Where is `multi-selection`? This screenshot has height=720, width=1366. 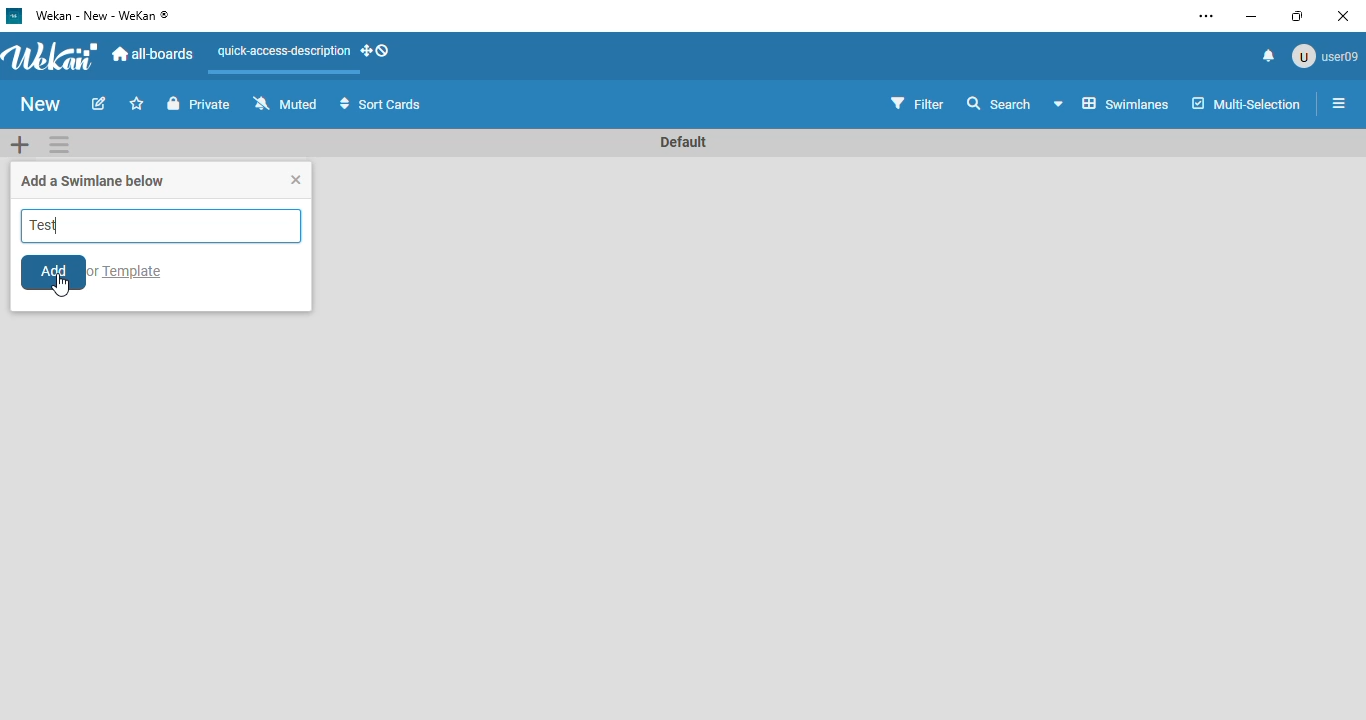 multi-selection is located at coordinates (1246, 104).